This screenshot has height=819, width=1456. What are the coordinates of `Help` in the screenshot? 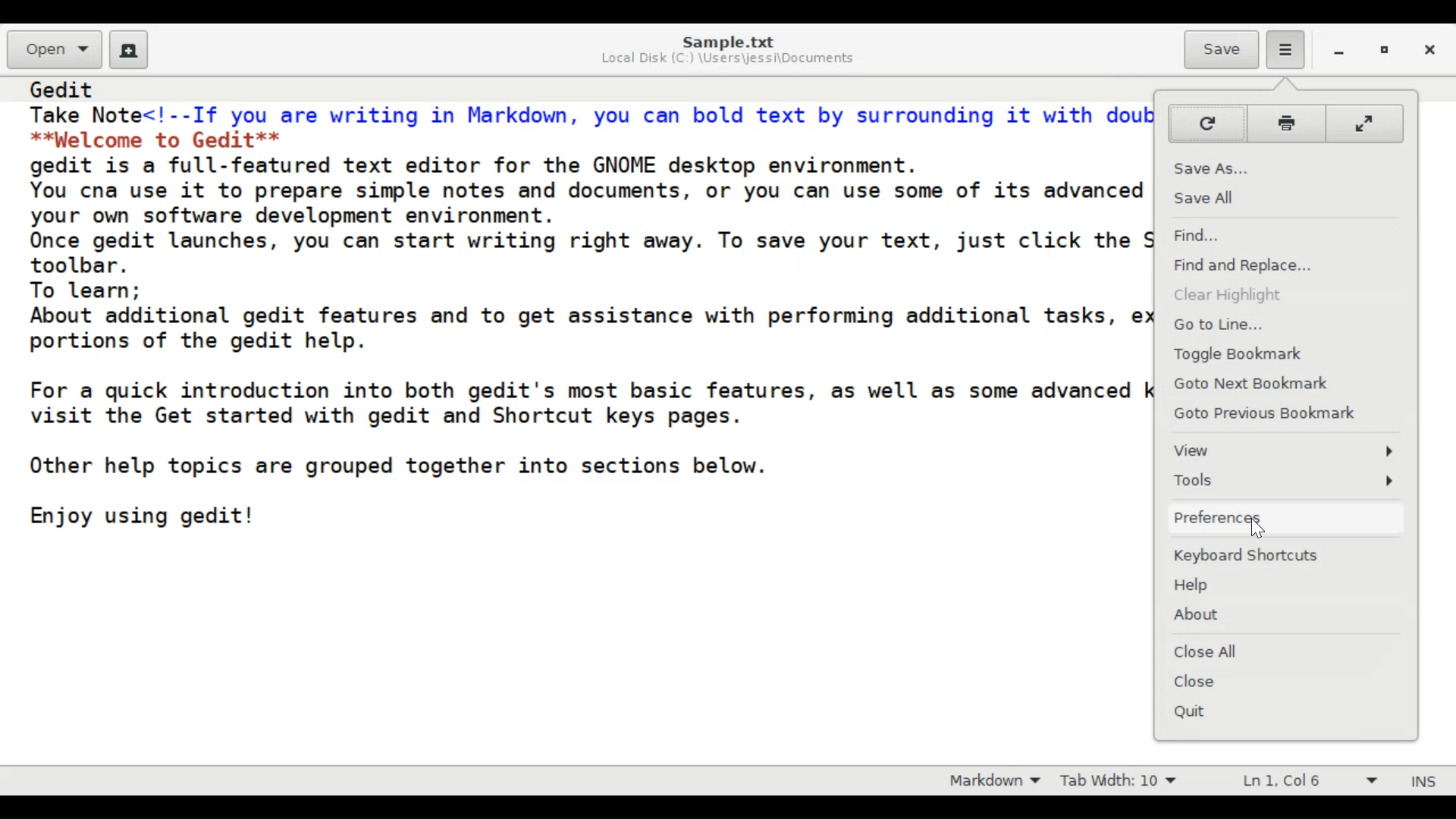 It's located at (1197, 586).